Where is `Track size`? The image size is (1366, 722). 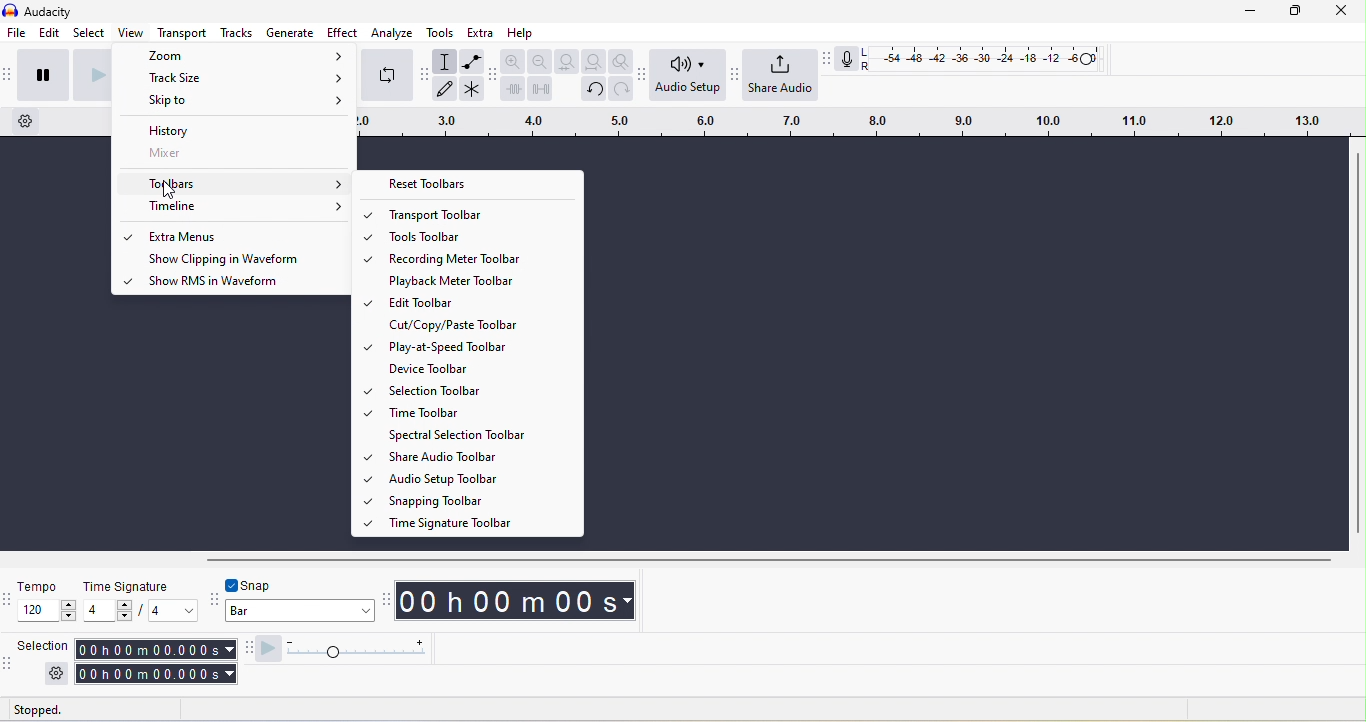
Track size is located at coordinates (235, 76).